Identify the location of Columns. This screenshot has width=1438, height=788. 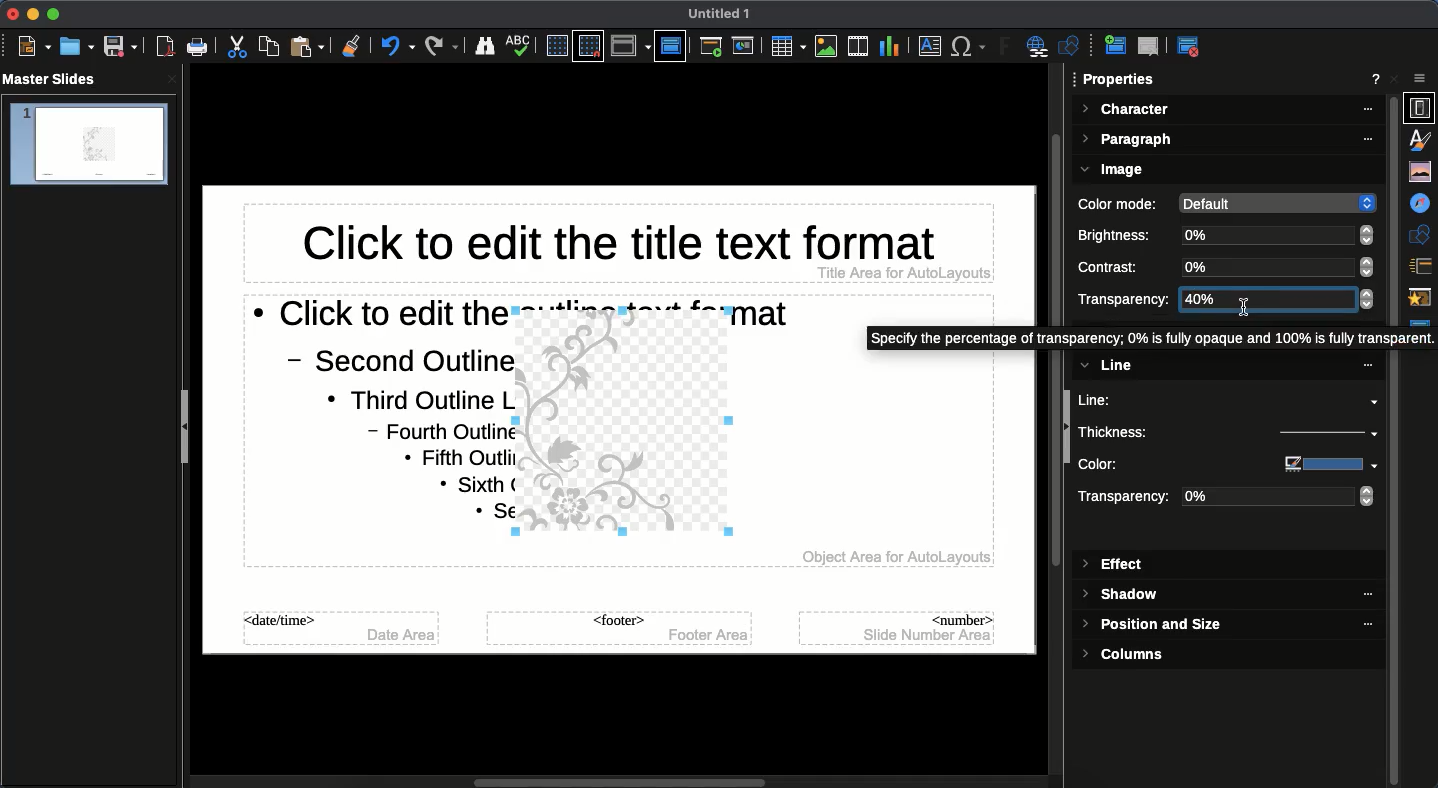
(1131, 654).